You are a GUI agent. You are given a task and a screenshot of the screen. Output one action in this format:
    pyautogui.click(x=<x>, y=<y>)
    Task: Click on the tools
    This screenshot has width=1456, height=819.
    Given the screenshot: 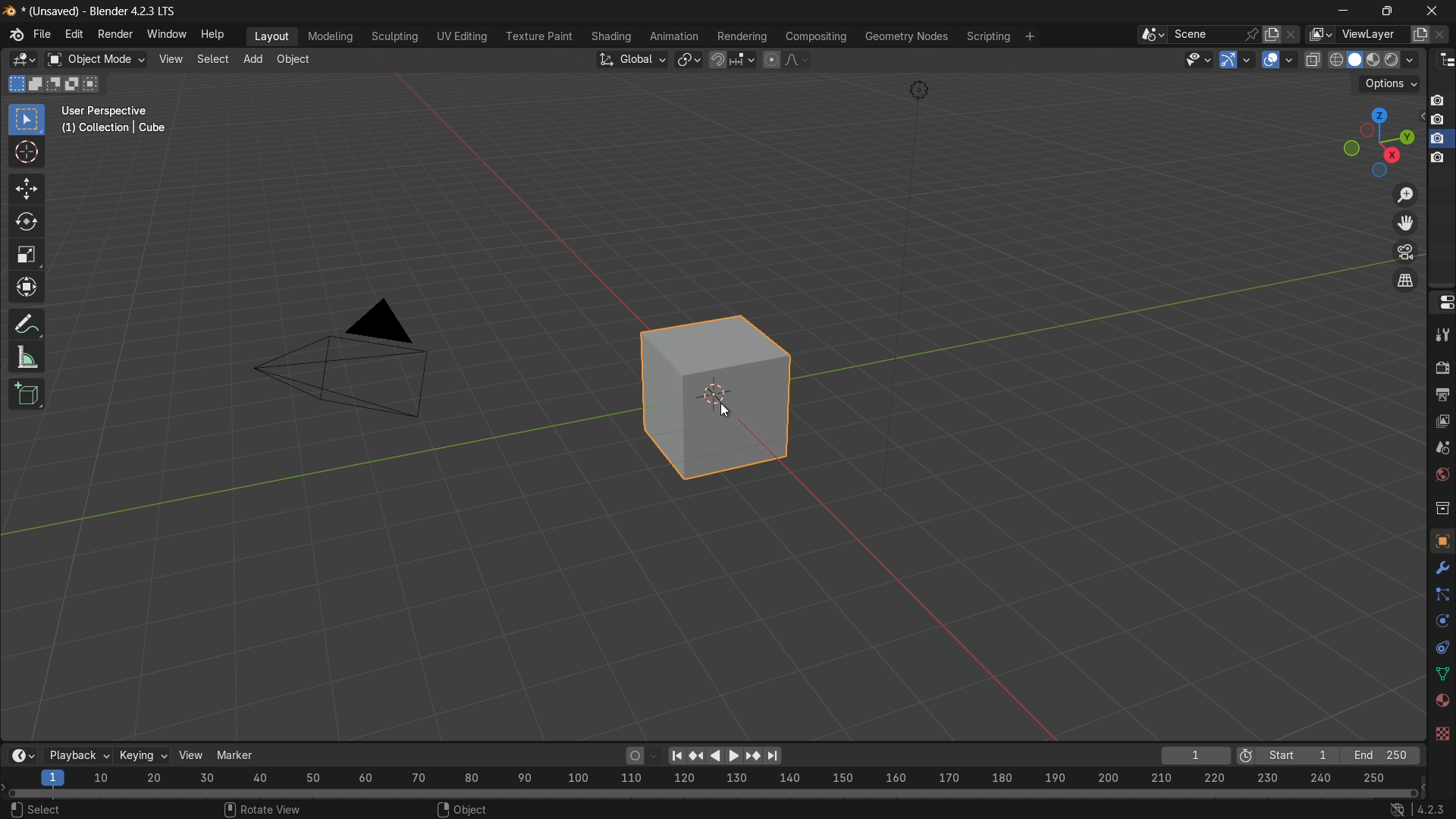 What is the action you would take?
    pyautogui.click(x=1442, y=335)
    